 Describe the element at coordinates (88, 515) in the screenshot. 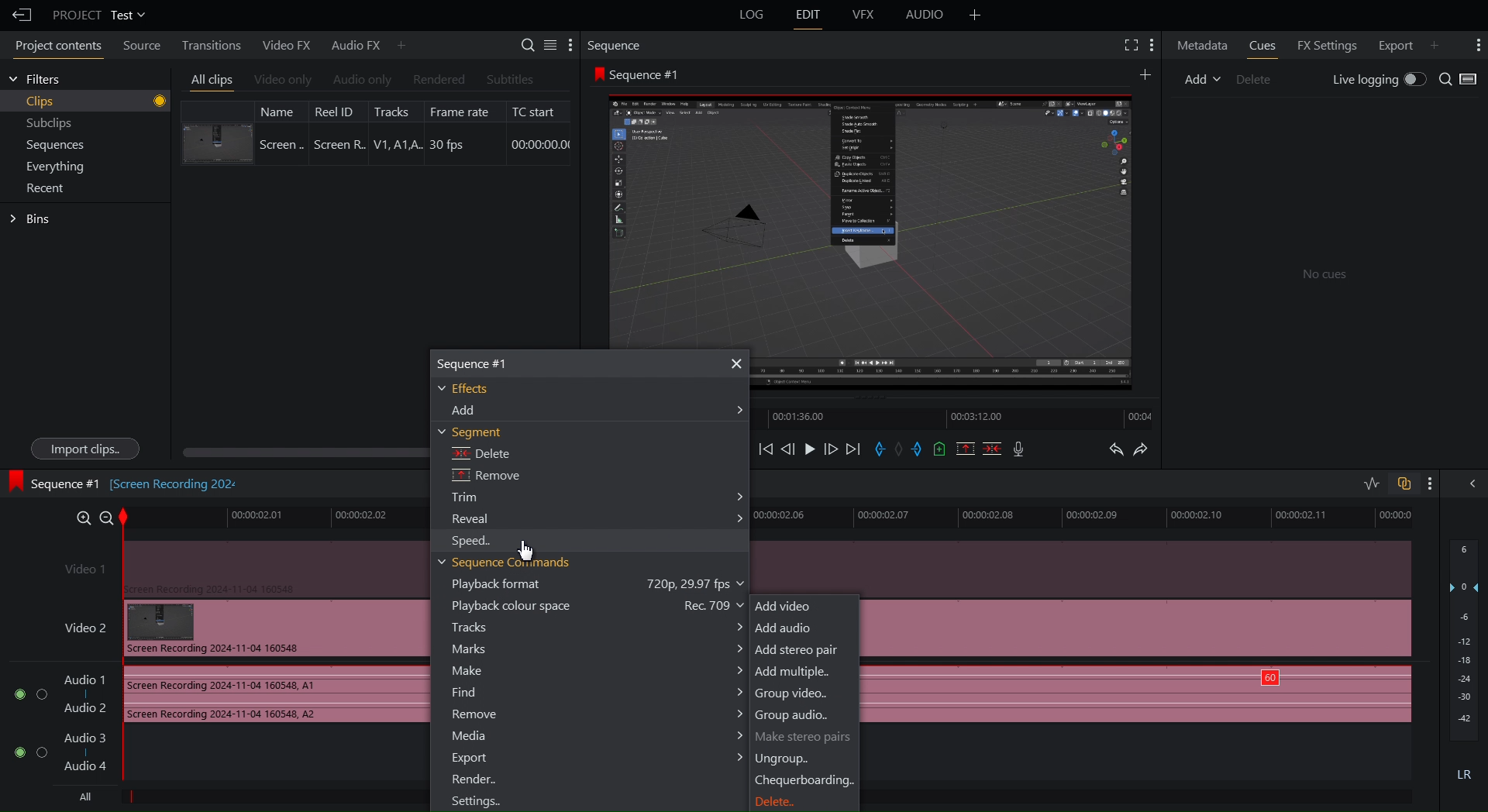

I see `Zoom` at that location.